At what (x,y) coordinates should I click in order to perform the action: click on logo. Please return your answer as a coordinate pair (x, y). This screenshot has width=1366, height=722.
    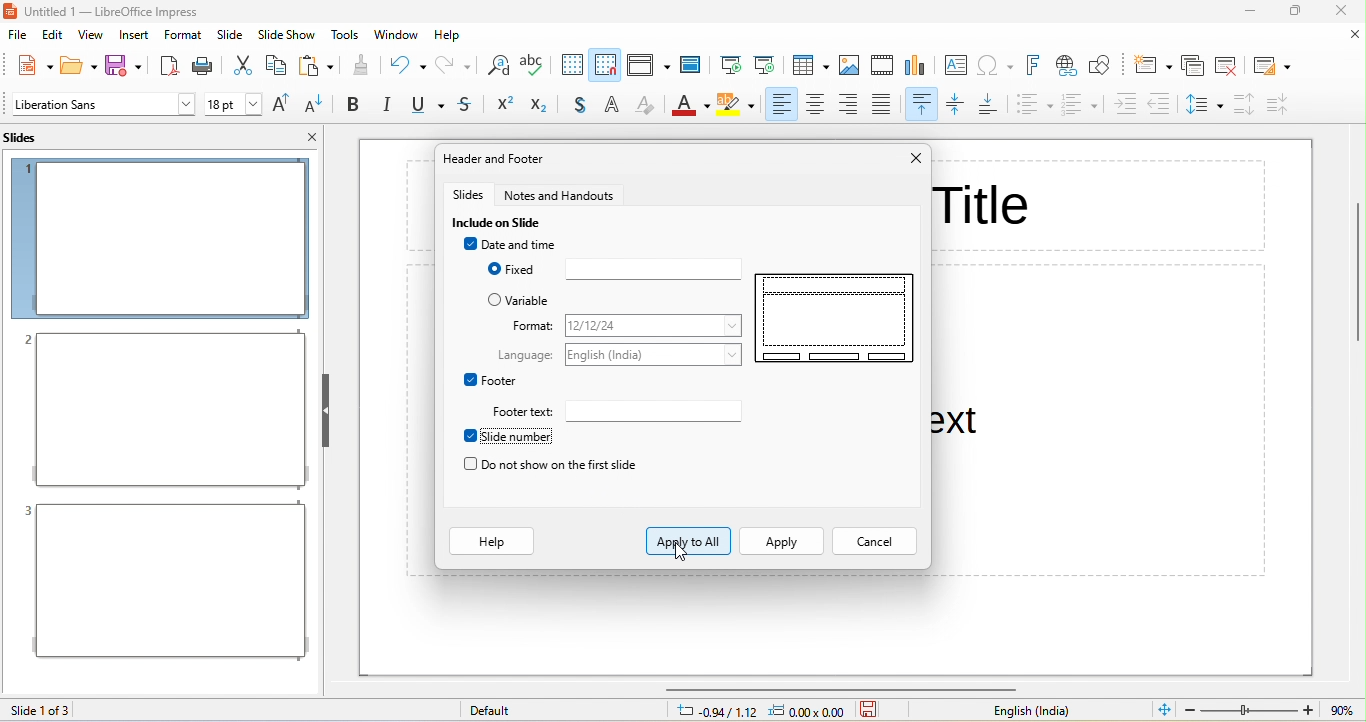
    Looking at the image, I should click on (11, 12).